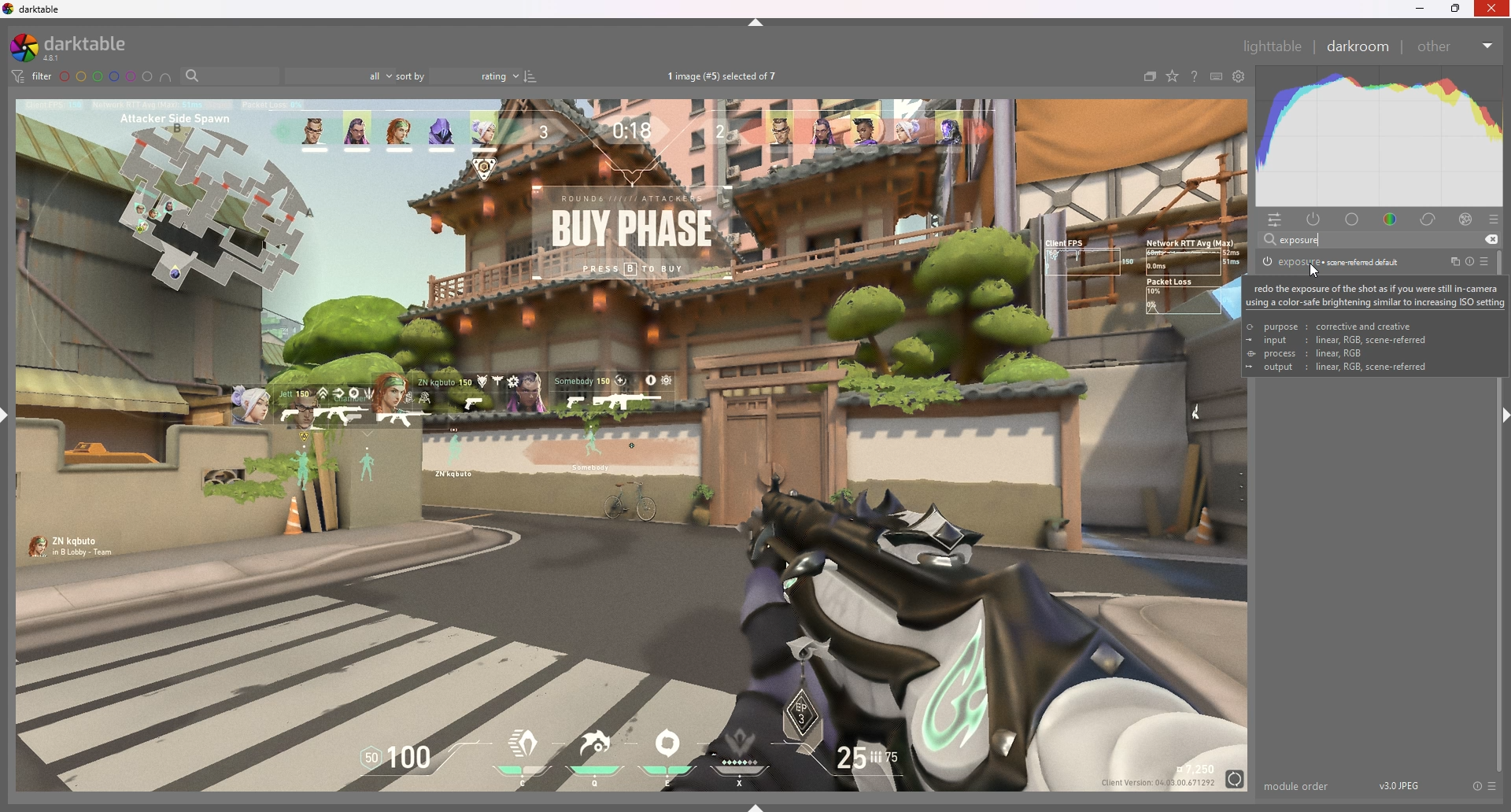 This screenshot has height=812, width=1511. Describe the element at coordinates (1300, 239) in the screenshot. I see `exposure` at that location.